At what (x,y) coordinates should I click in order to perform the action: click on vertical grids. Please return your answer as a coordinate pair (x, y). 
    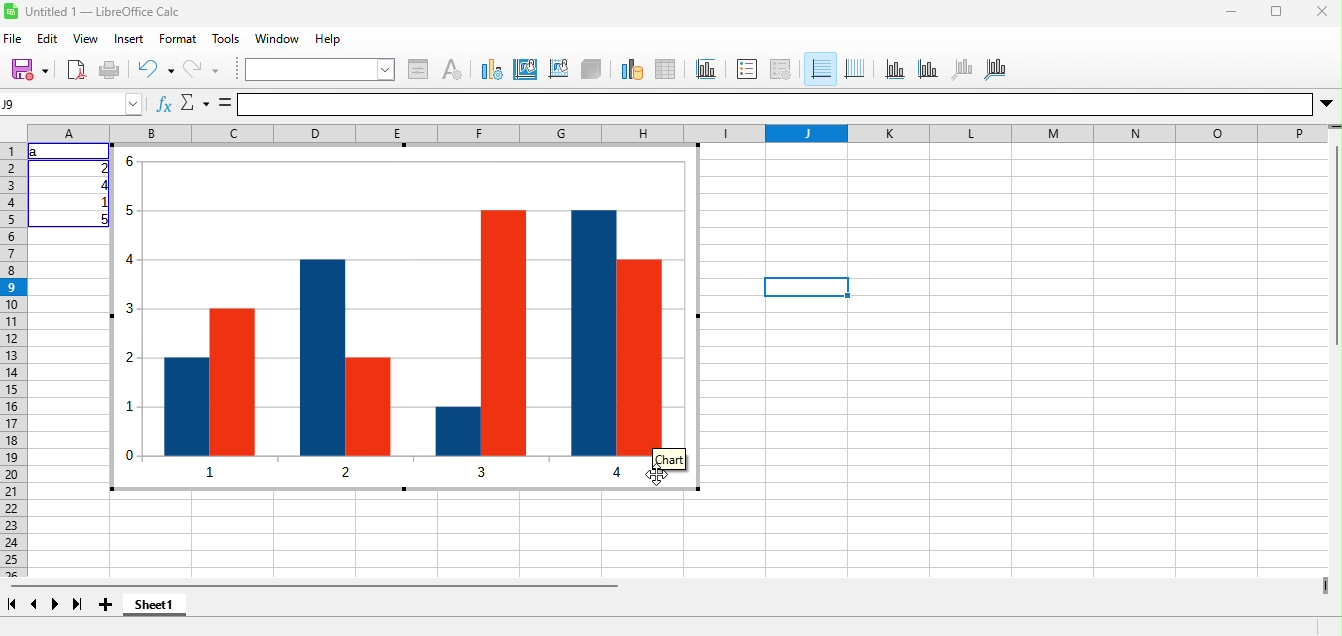
    Looking at the image, I should click on (855, 70).